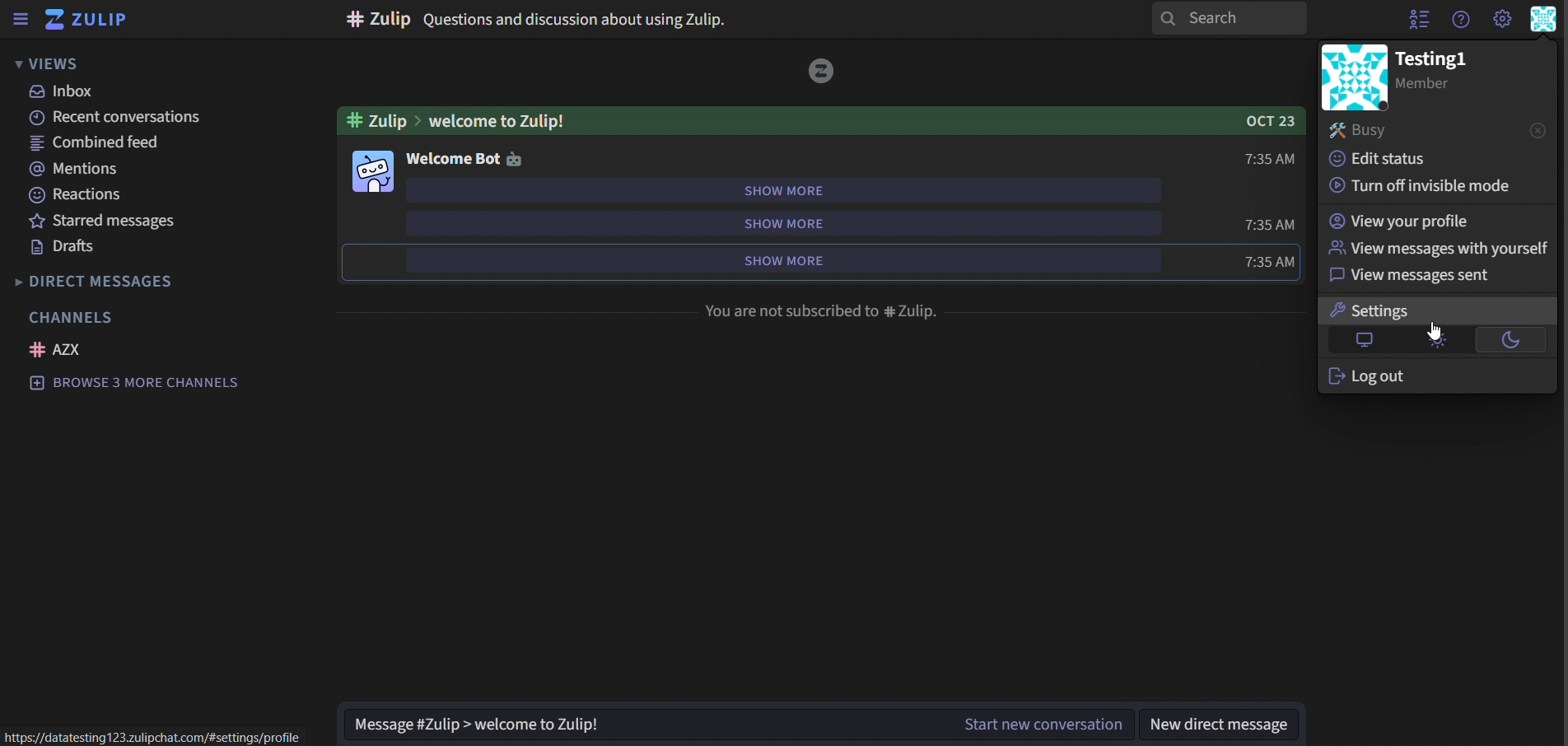 The width and height of the screenshot is (1568, 746). What do you see at coordinates (1414, 20) in the screenshot?
I see `hide user list` at bounding box center [1414, 20].